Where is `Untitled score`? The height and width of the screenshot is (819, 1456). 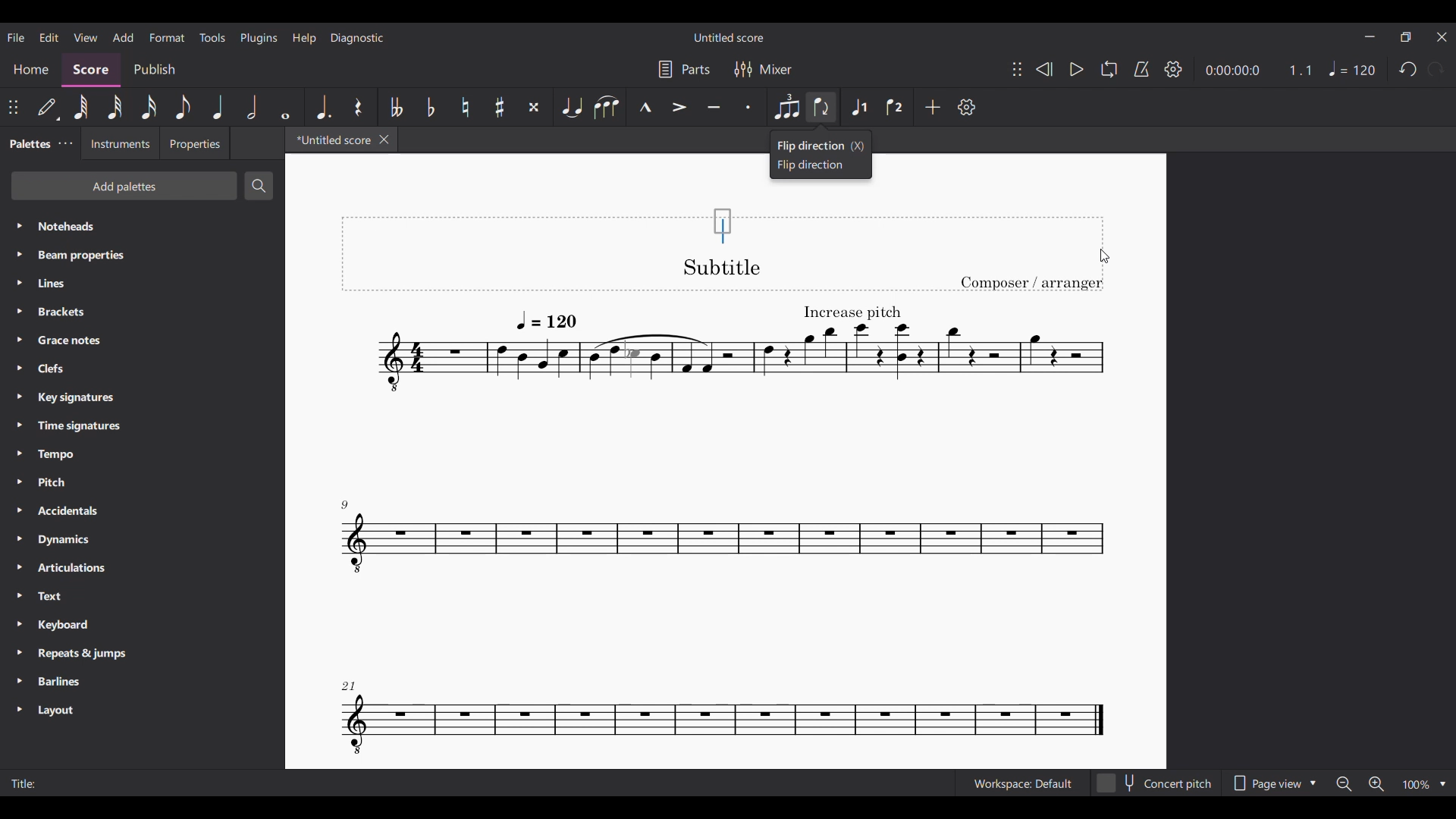 Untitled score is located at coordinates (729, 37).